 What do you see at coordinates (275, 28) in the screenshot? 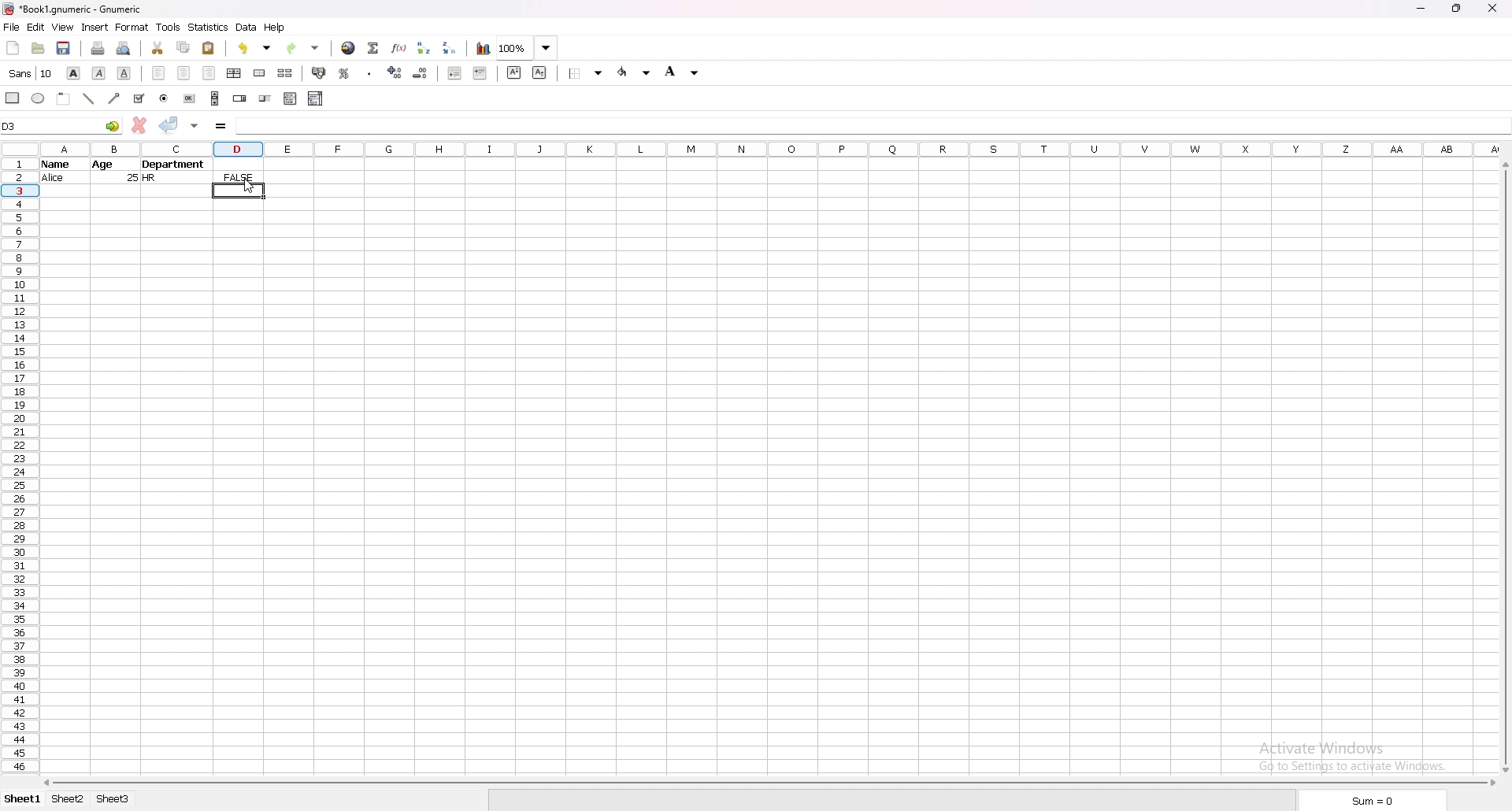
I see `help` at bounding box center [275, 28].